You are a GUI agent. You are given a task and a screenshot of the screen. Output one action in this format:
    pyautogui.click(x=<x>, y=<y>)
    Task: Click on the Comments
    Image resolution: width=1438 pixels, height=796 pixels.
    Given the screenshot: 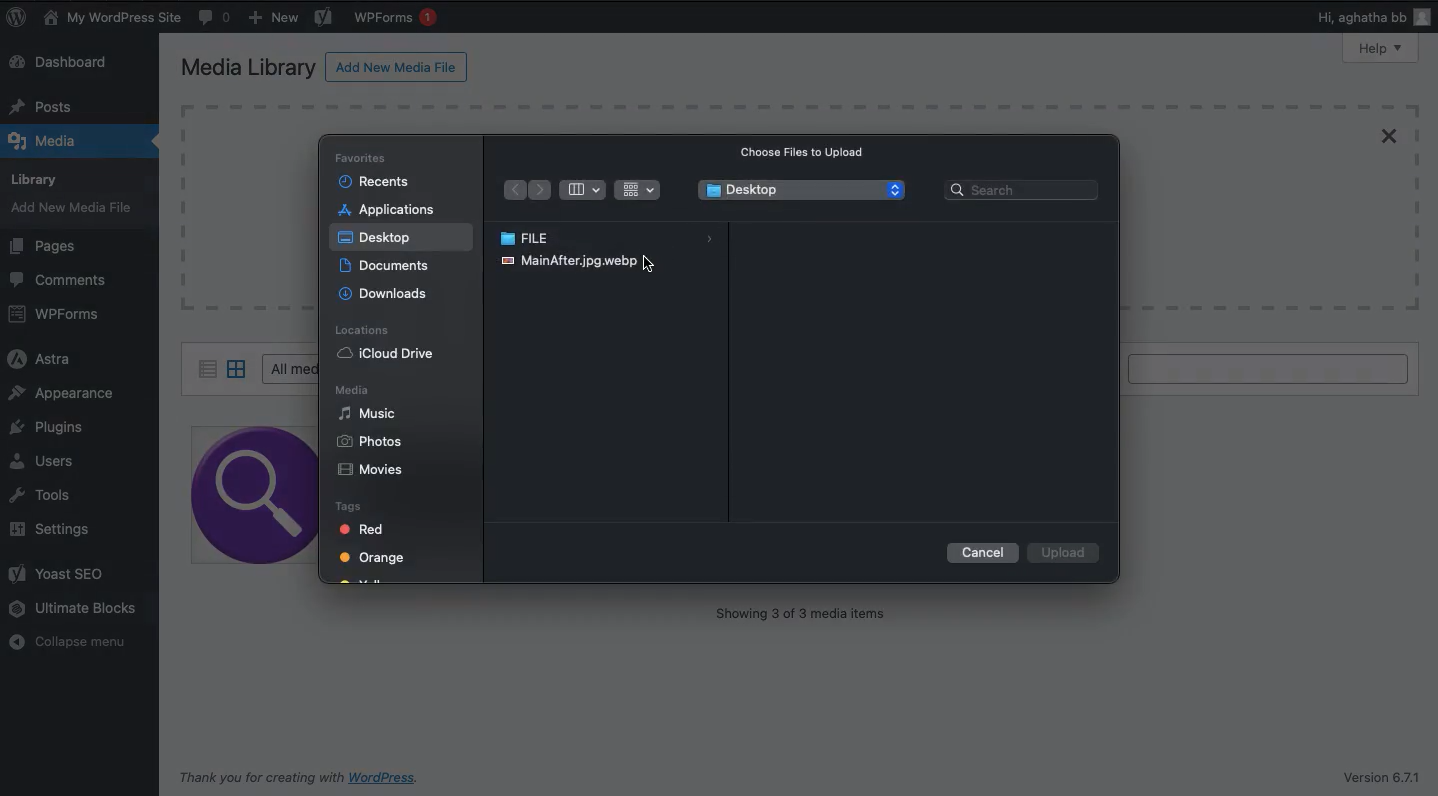 What is the action you would take?
    pyautogui.click(x=216, y=17)
    